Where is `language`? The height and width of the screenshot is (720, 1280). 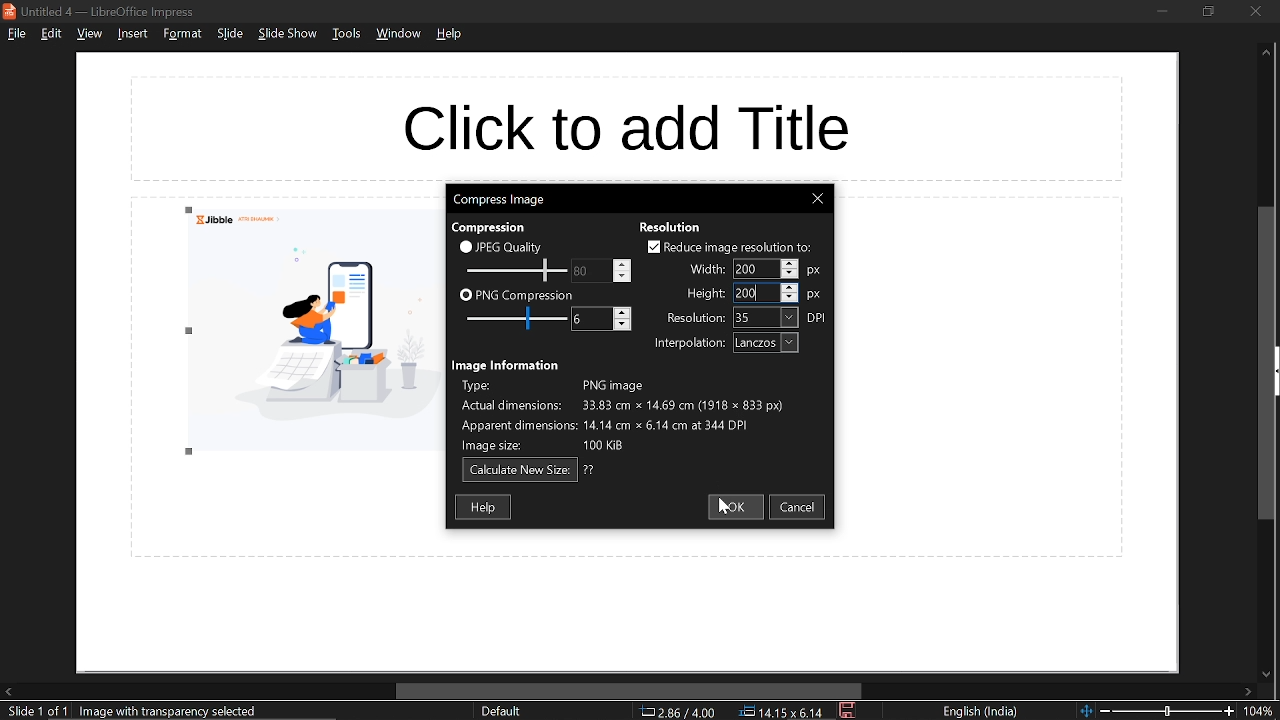 language is located at coordinates (981, 712).